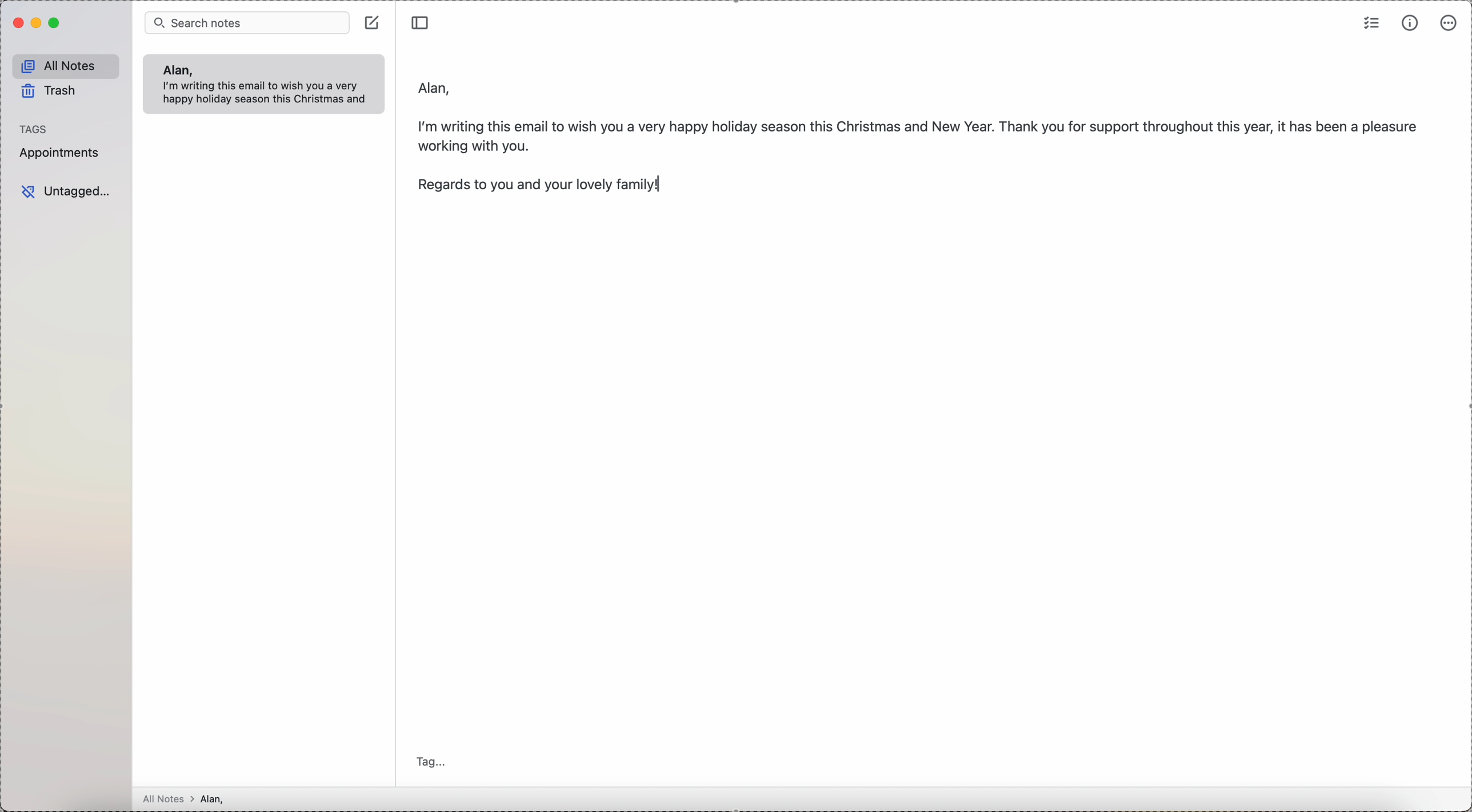 This screenshot has height=812, width=1472. Describe the element at coordinates (547, 188) in the screenshot. I see `regards` at that location.